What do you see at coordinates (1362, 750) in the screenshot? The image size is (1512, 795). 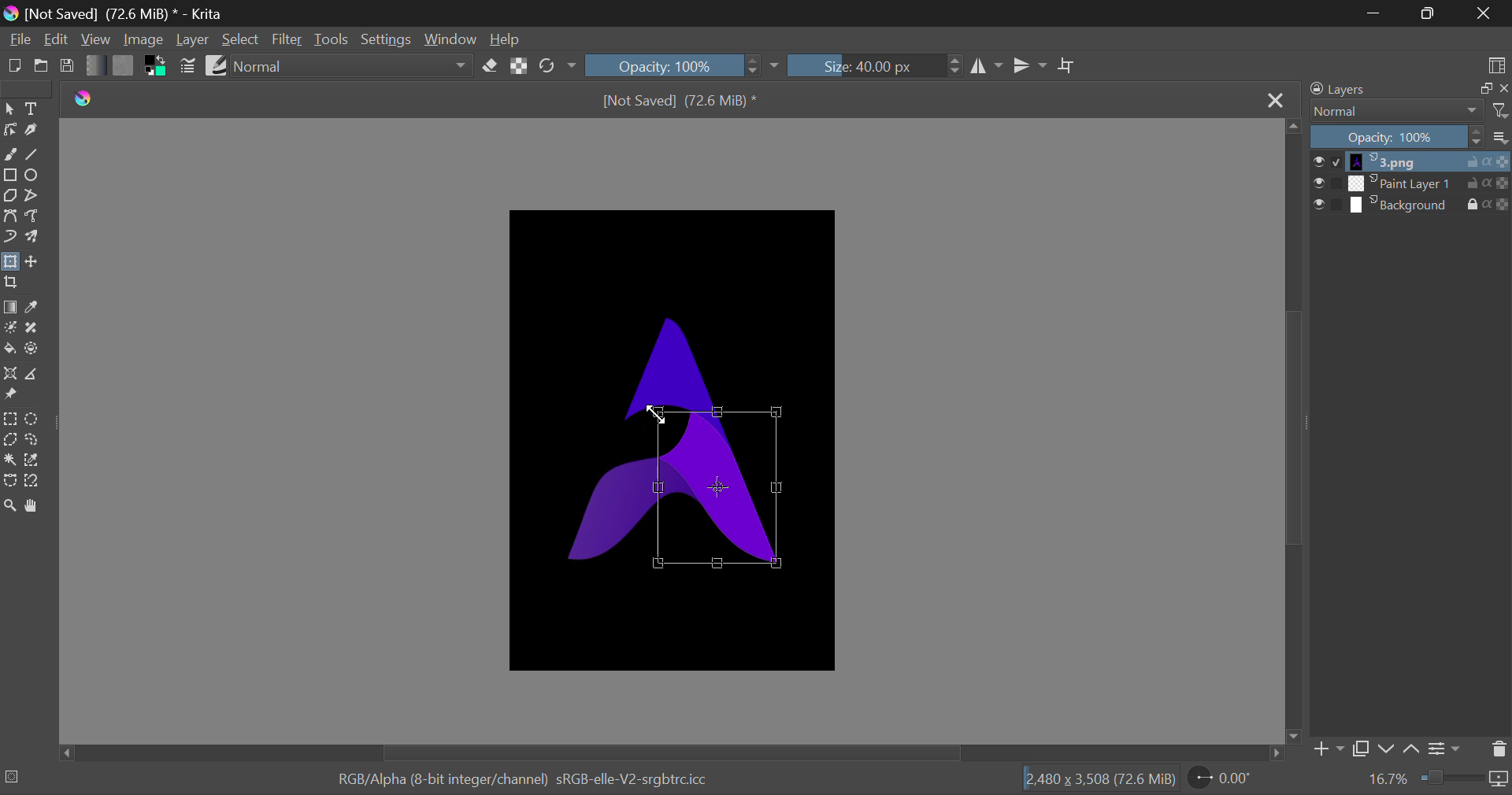 I see `Copy Layer` at bounding box center [1362, 750].